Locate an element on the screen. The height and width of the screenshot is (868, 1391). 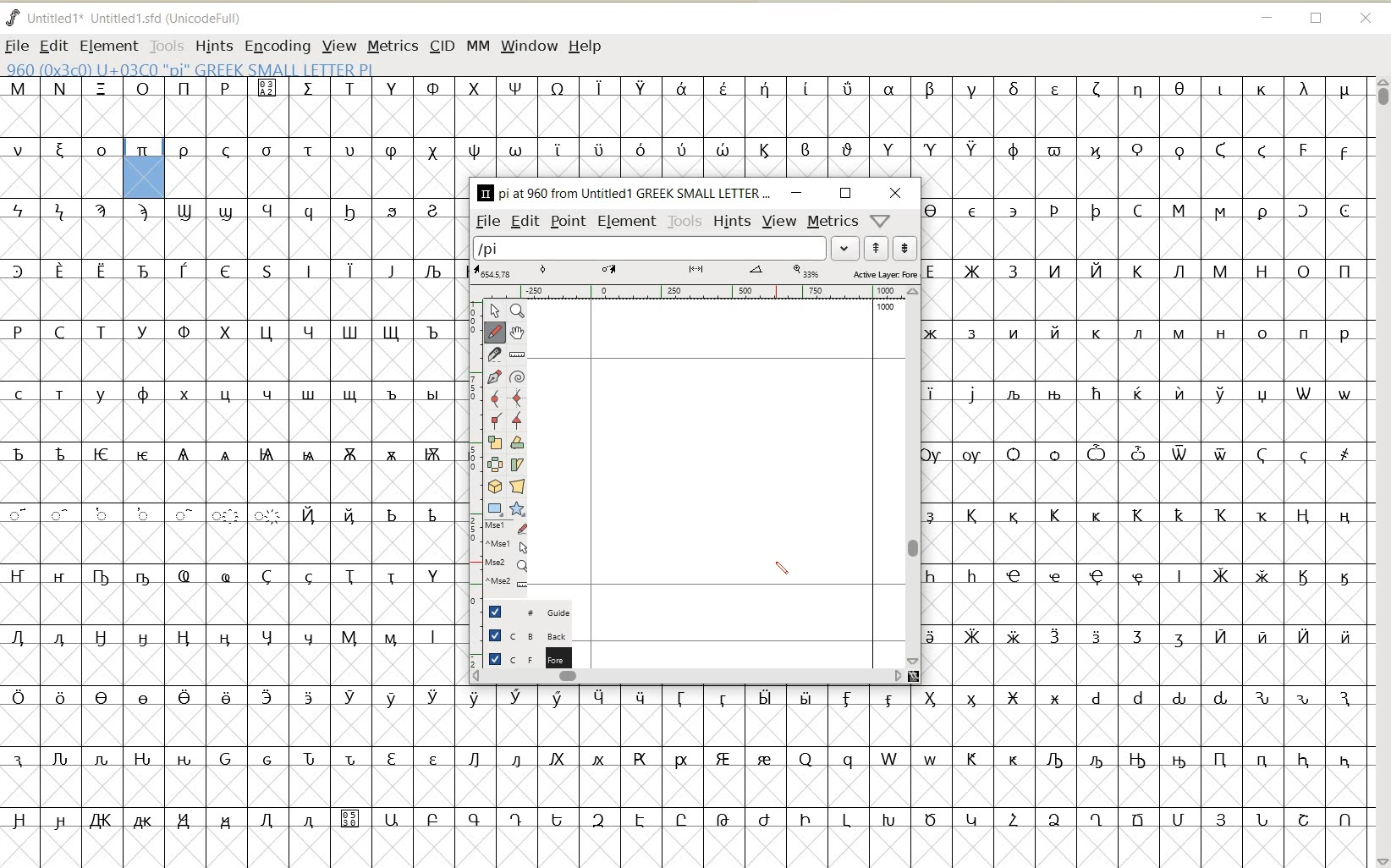
RESTORE is located at coordinates (847, 193).